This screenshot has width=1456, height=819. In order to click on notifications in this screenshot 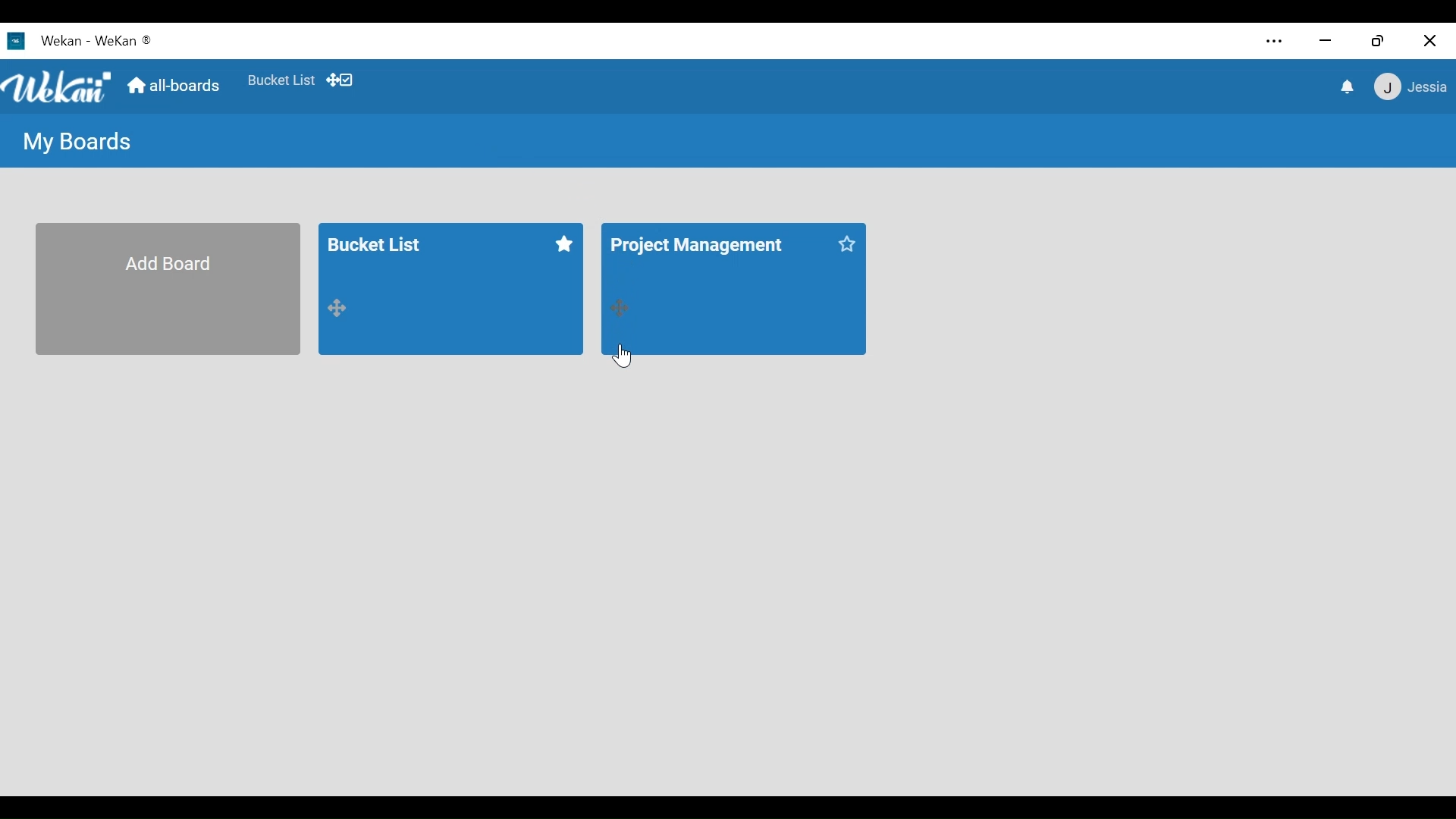, I will do `click(1348, 86)`.